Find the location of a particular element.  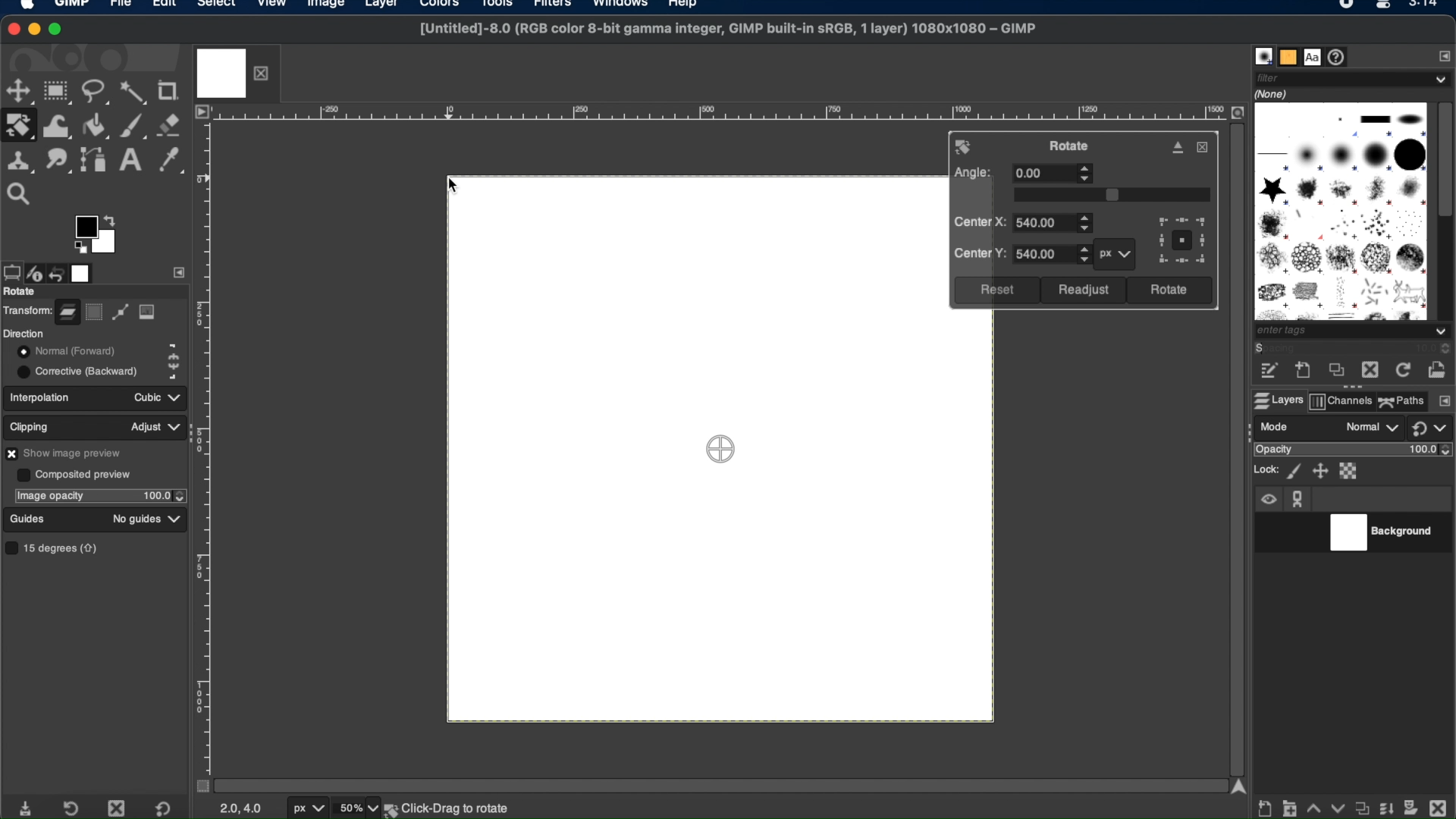

restore tool preset is located at coordinates (74, 807).